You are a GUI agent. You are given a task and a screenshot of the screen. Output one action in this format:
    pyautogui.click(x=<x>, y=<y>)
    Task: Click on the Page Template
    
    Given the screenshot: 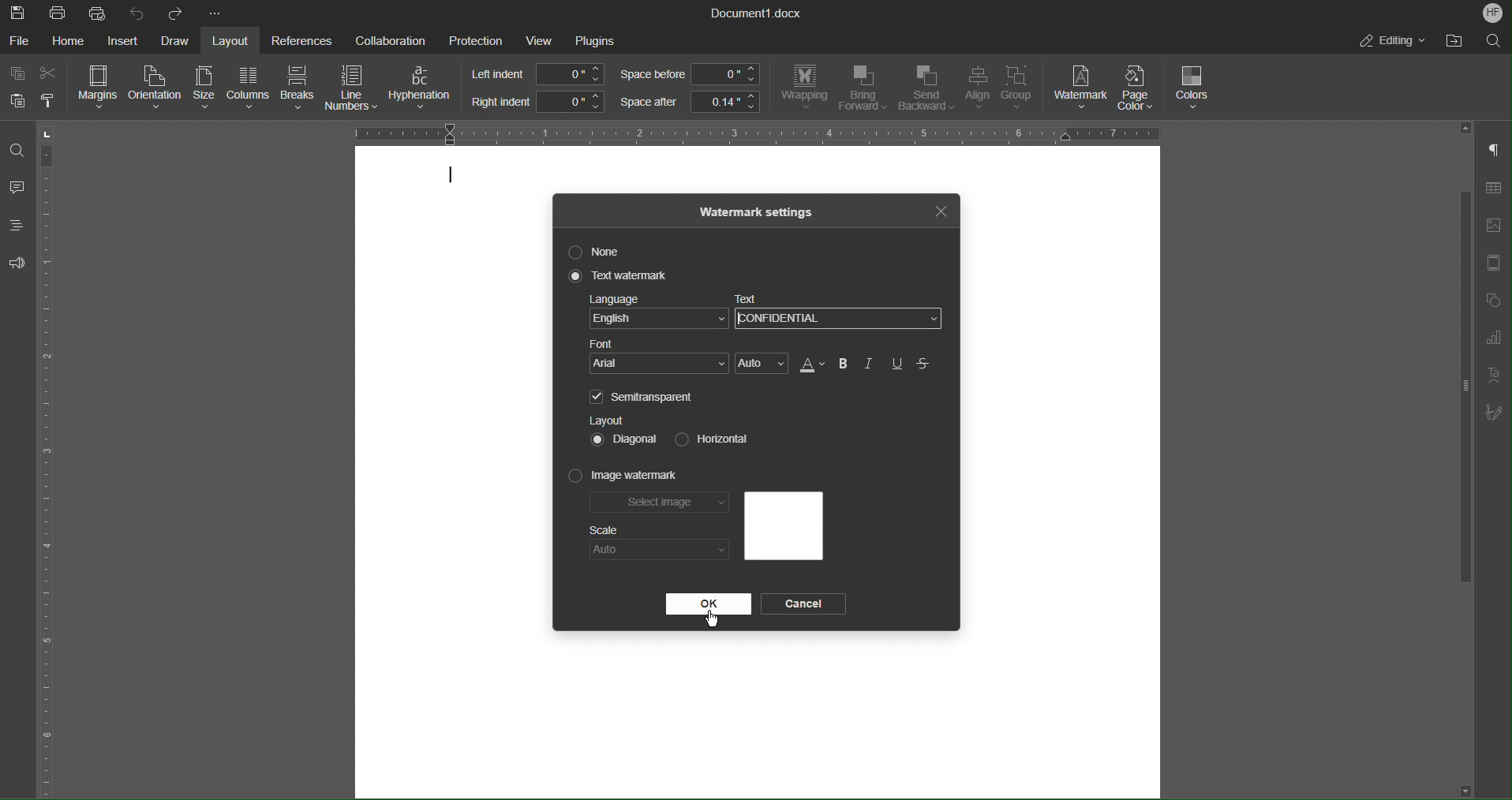 What is the action you would take?
    pyautogui.click(x=1492, y=264)
    